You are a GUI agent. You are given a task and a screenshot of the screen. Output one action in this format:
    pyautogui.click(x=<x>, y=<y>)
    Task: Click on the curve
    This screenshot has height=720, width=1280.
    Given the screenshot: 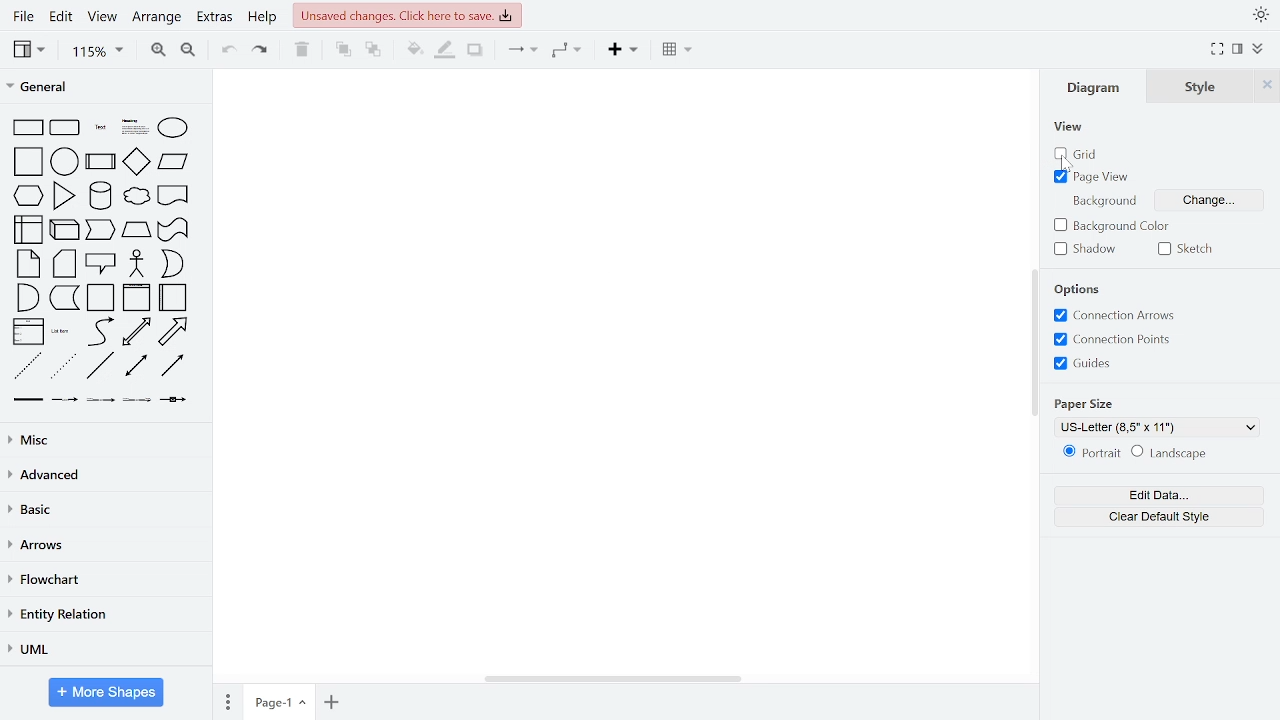 What is the action you would take?
    pyautogui.click(x=100, y=332)
    